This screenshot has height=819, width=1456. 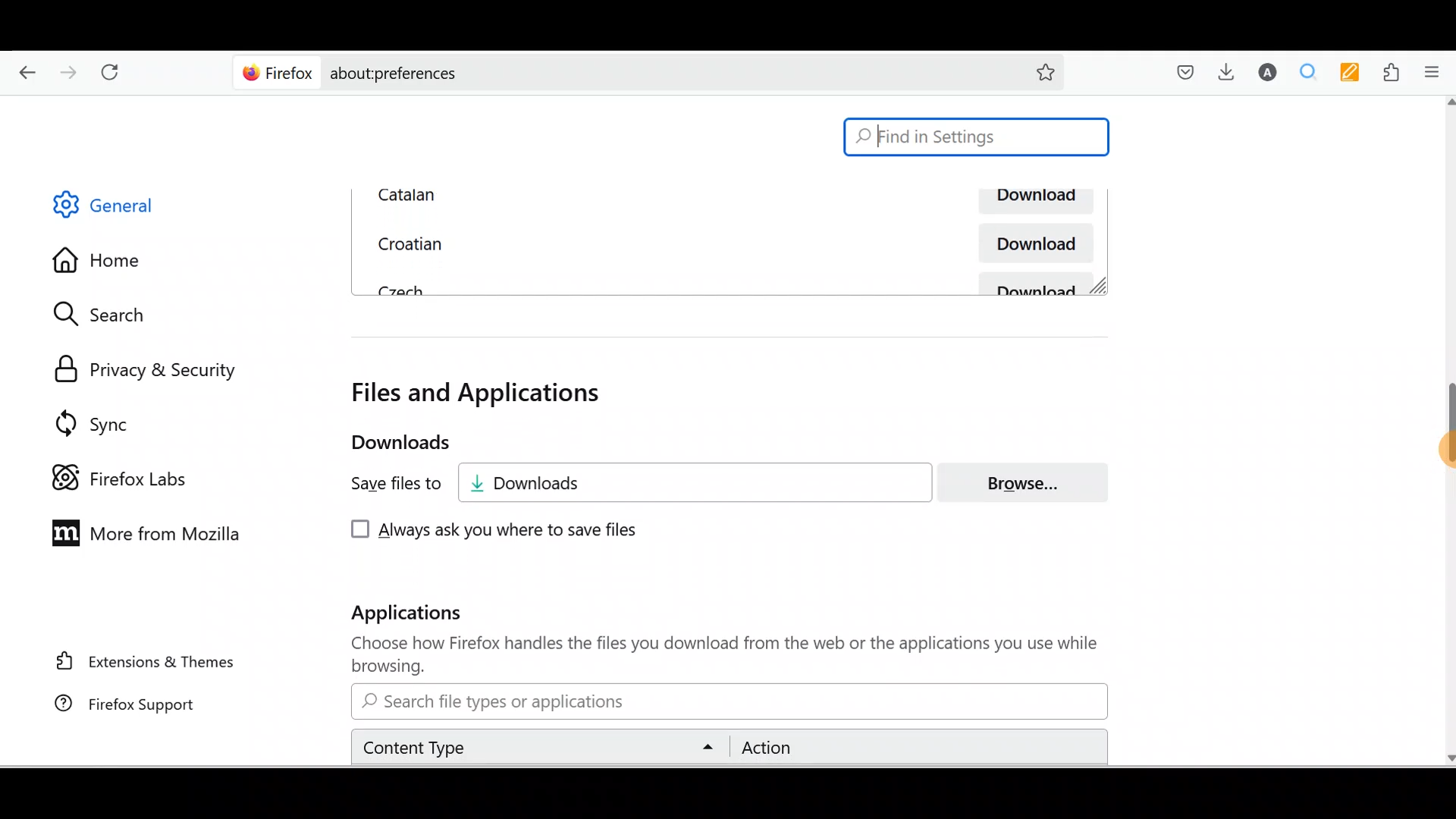 I want to click on scroll up, so click(x=1447, y=101).